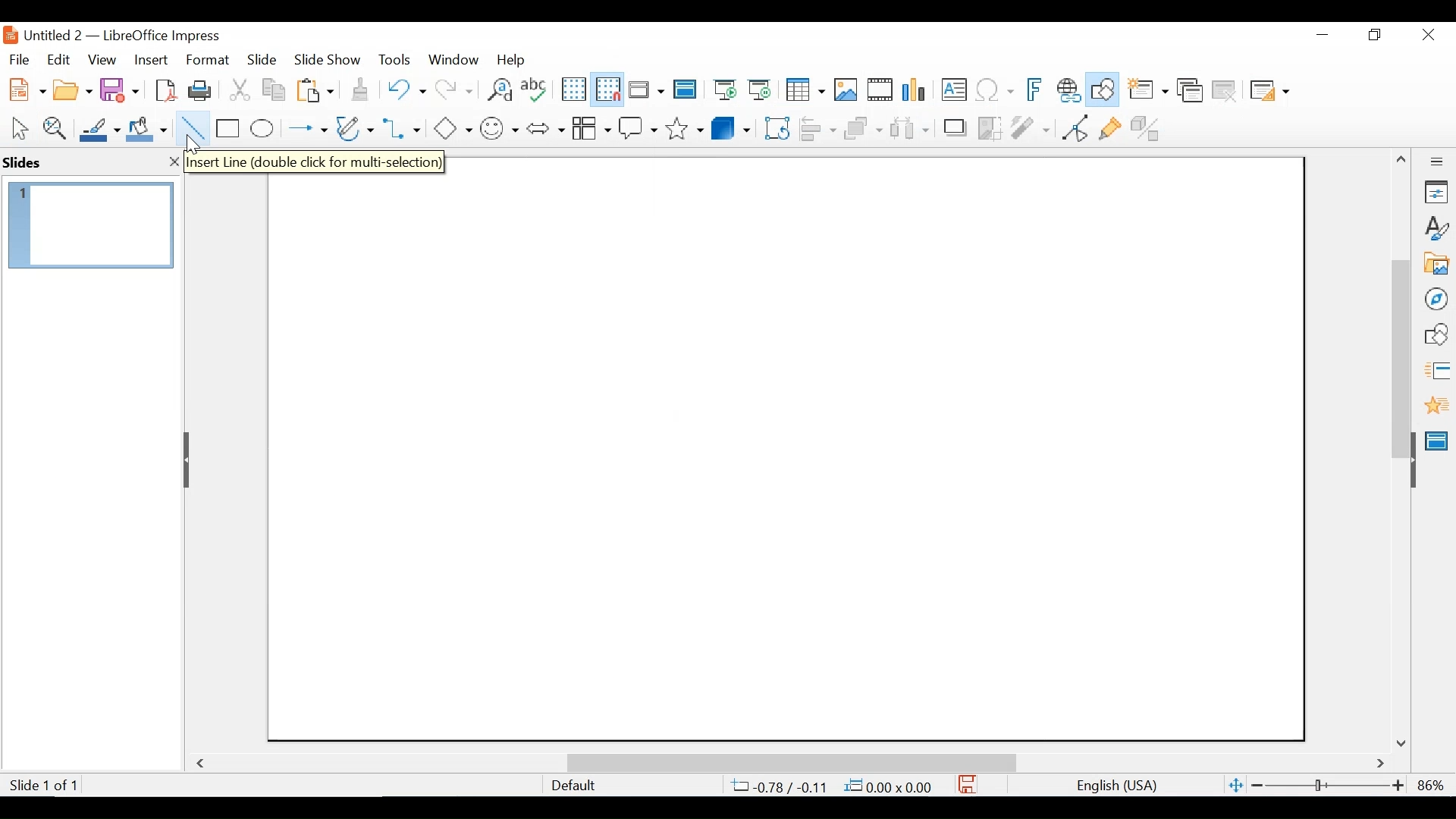 The image size is (1456, 819). What do you see at coordinates (544, 127) in the screenshot?
I see `Block Arrows` at bounding box center [544, 127].